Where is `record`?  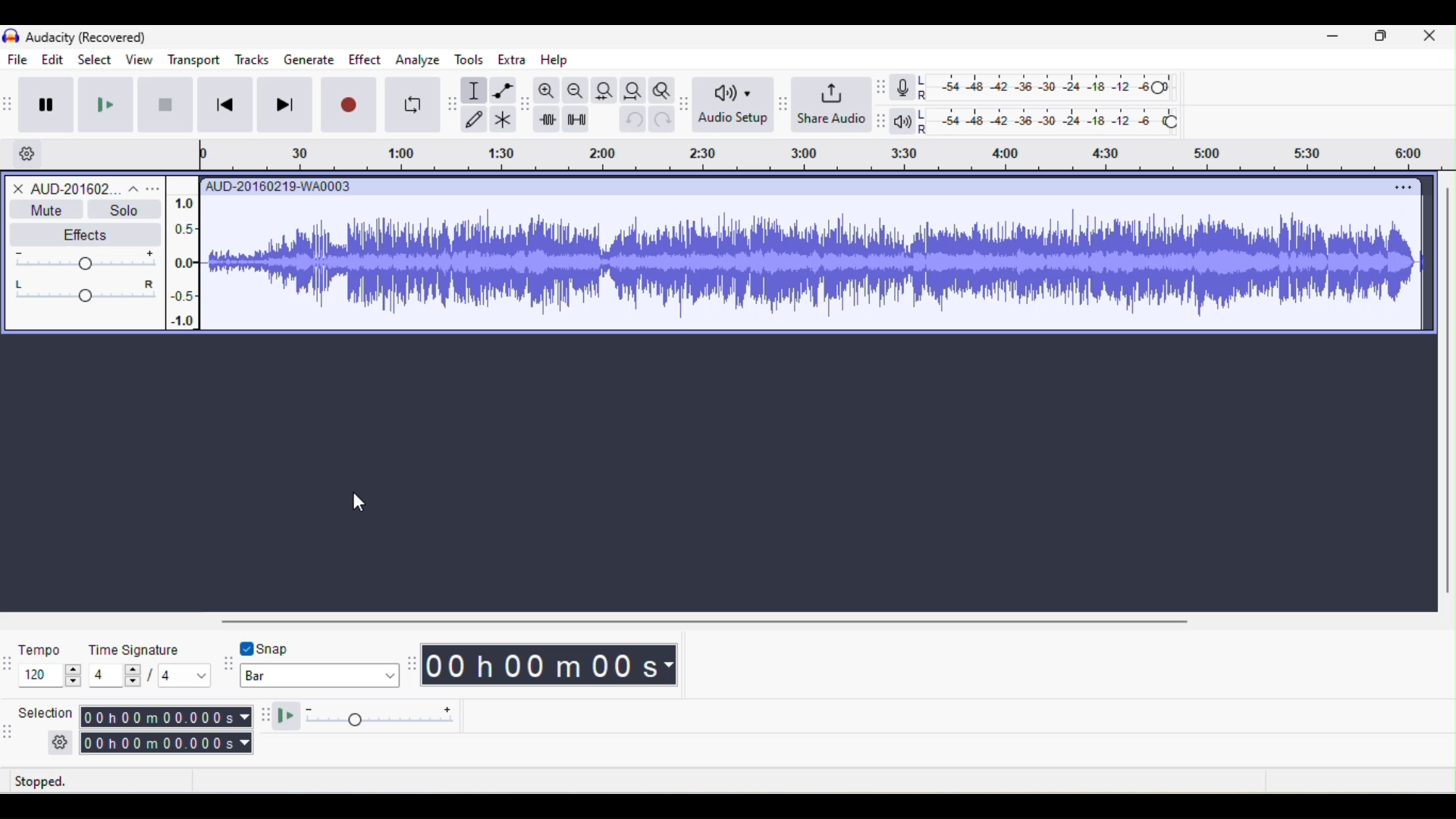 record is located at coordinates (350, 104).